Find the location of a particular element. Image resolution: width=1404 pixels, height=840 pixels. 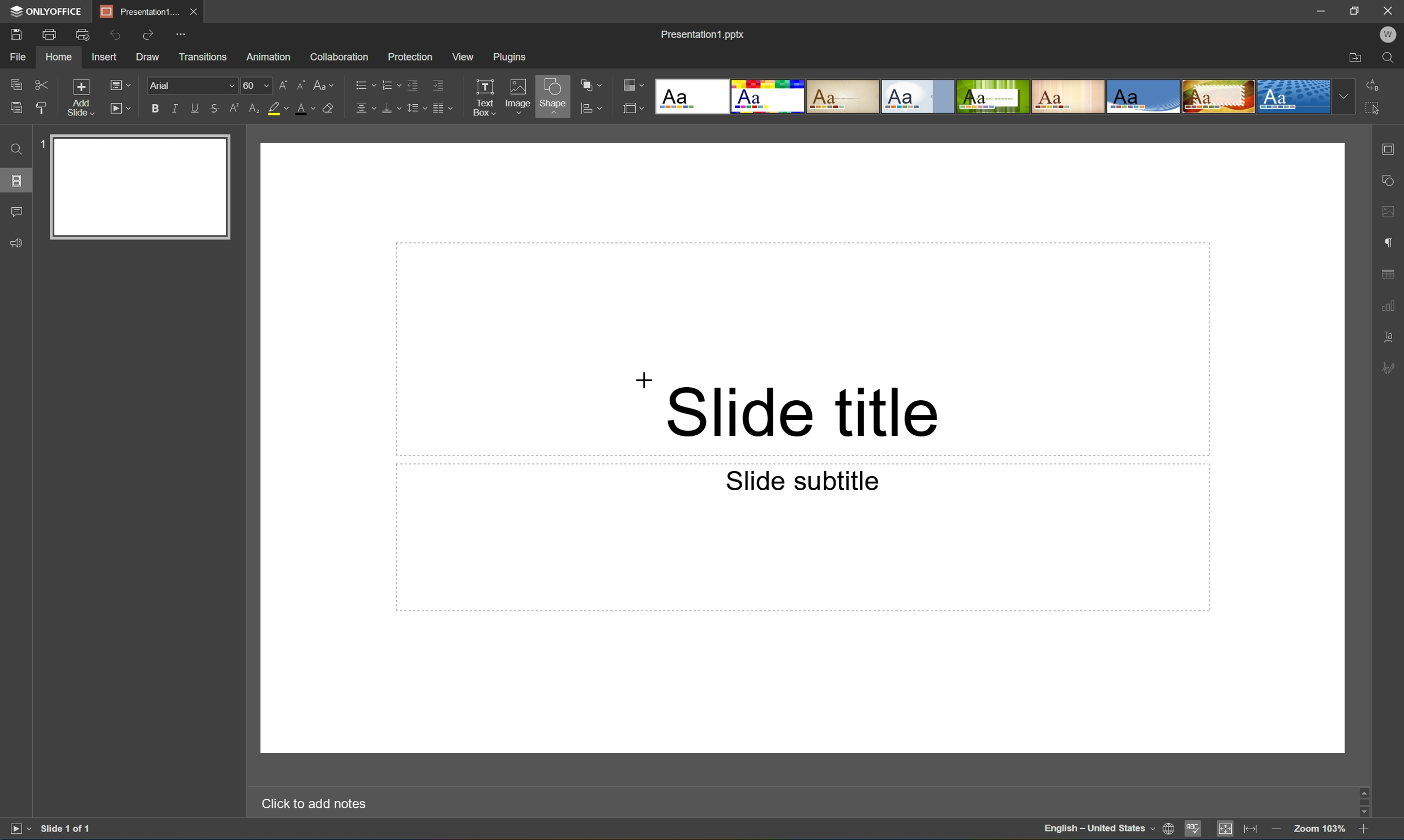

Print a file is located at coordinates (50, 34).